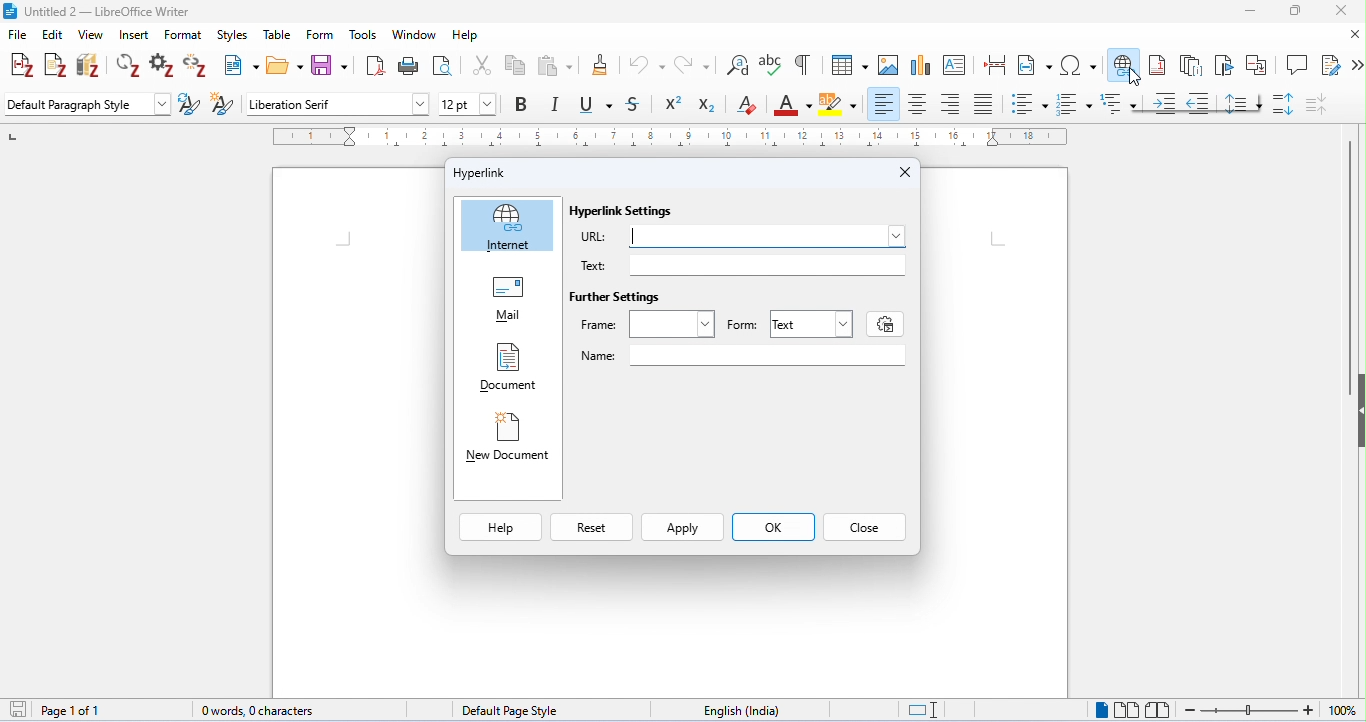 This screenshot has width=1366, height=722. Describe the element at coordinates (738, 65) in the screenshot. I see `find and replace` at that location.